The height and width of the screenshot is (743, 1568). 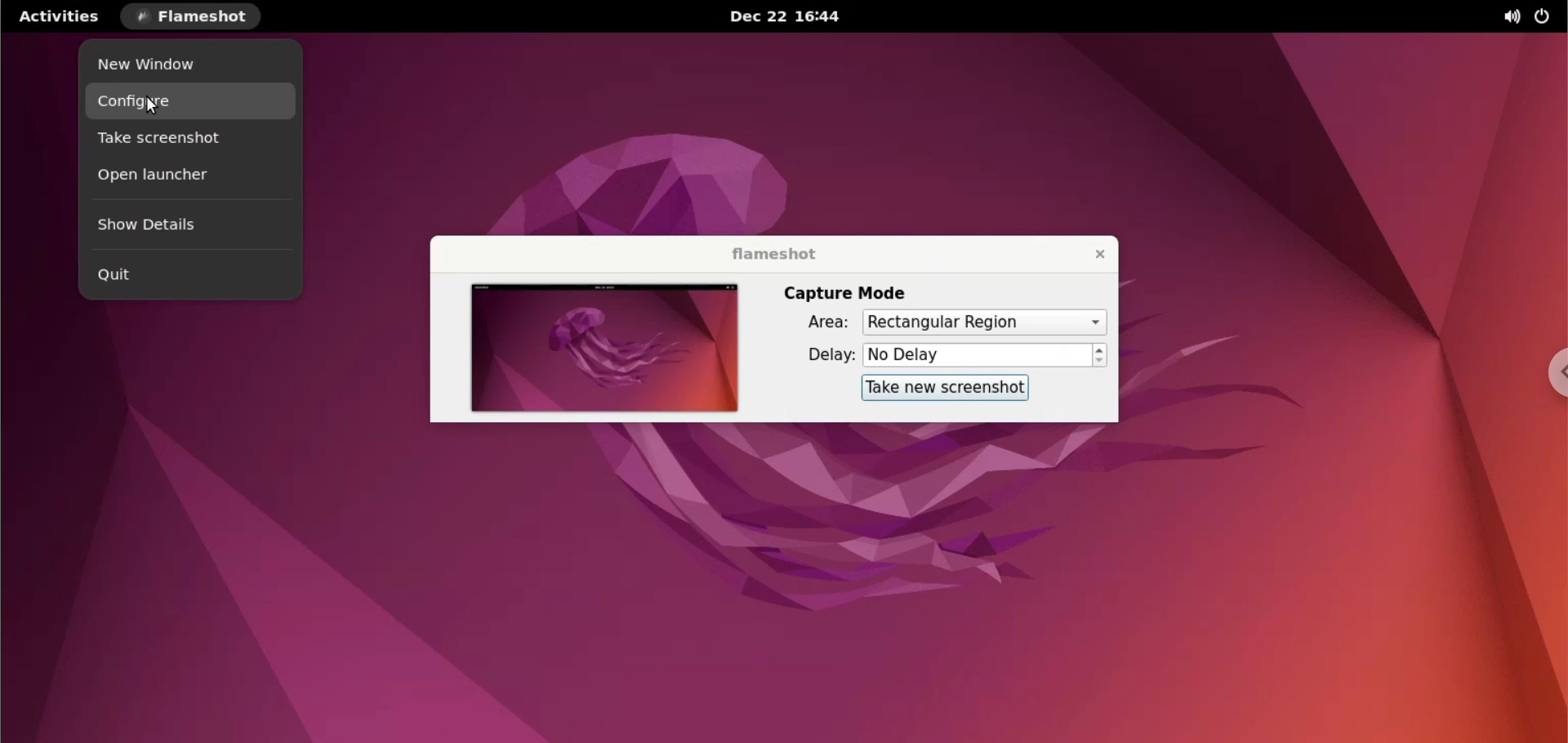 I want to click on configure, so click(x=198, y=101).